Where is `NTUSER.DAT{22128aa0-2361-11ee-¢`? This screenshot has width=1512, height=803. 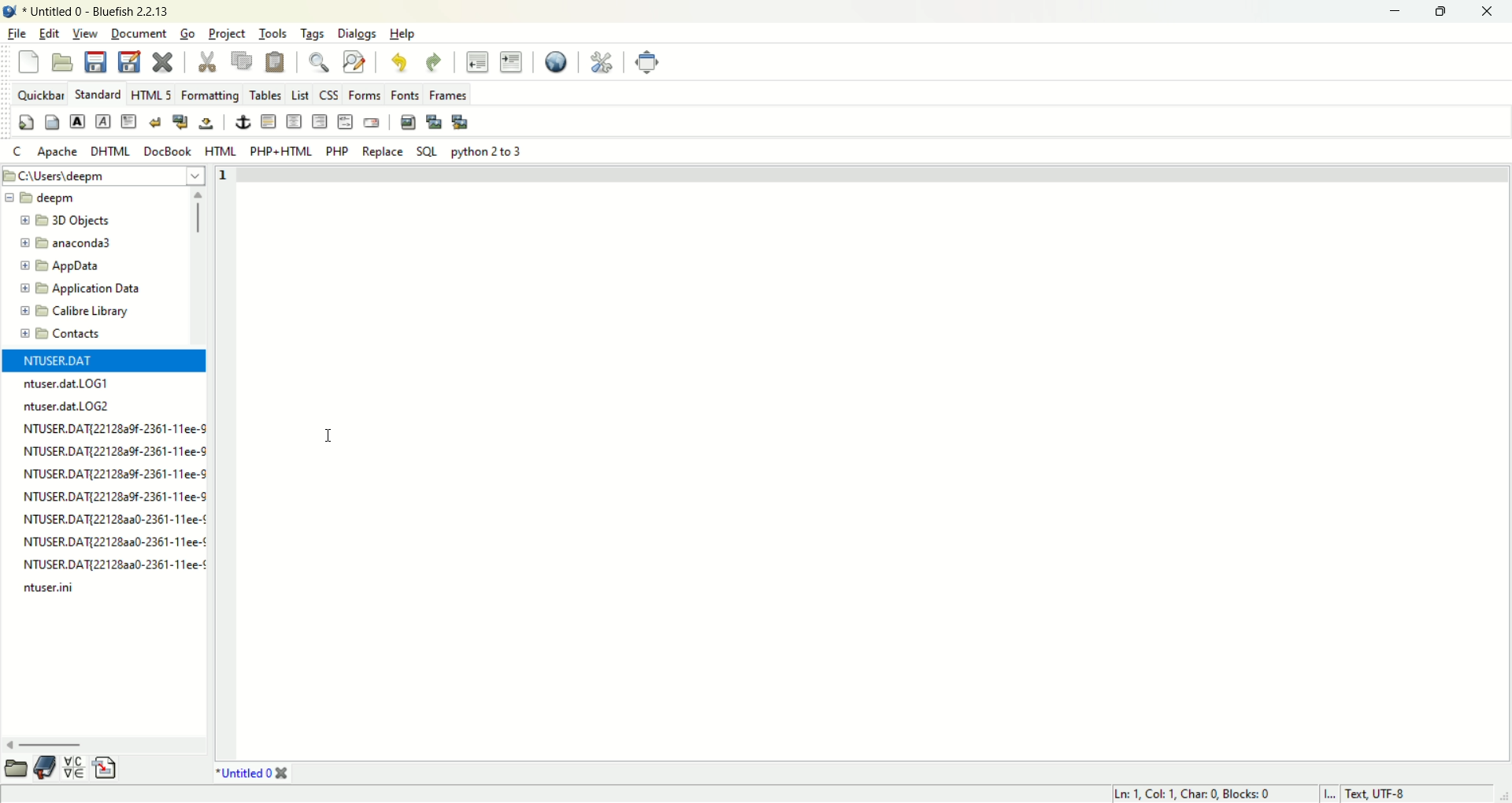
NTUSER.DAT{22128aa0-2361-11ee-¢ is located at coordinates (113, 564).